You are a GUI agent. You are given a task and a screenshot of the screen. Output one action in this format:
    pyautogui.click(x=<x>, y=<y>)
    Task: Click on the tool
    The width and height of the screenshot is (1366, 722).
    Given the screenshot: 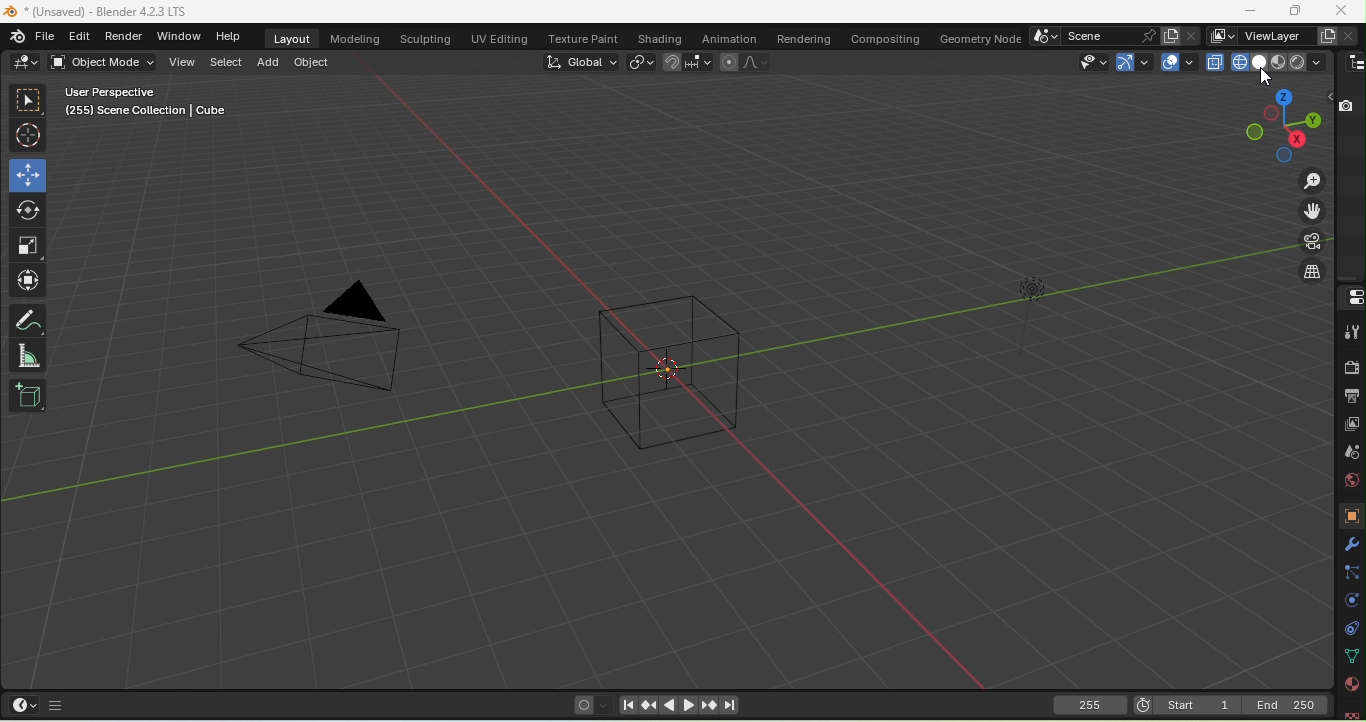 What is the action you would take?
    pyautogui.click(x=1350, y=334)
    